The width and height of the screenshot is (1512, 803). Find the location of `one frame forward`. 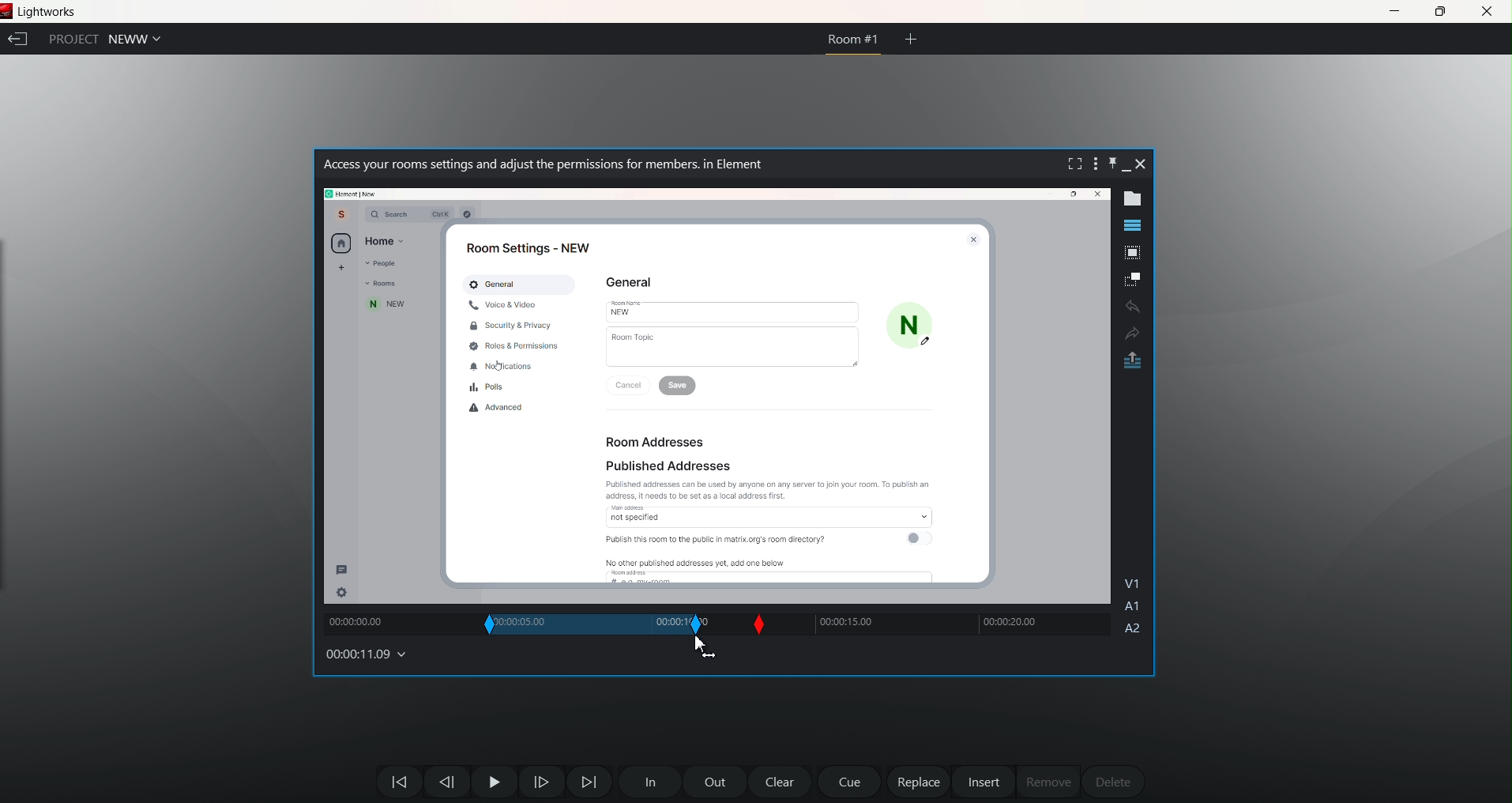

one frame forward is located at coordinates (540, 781).